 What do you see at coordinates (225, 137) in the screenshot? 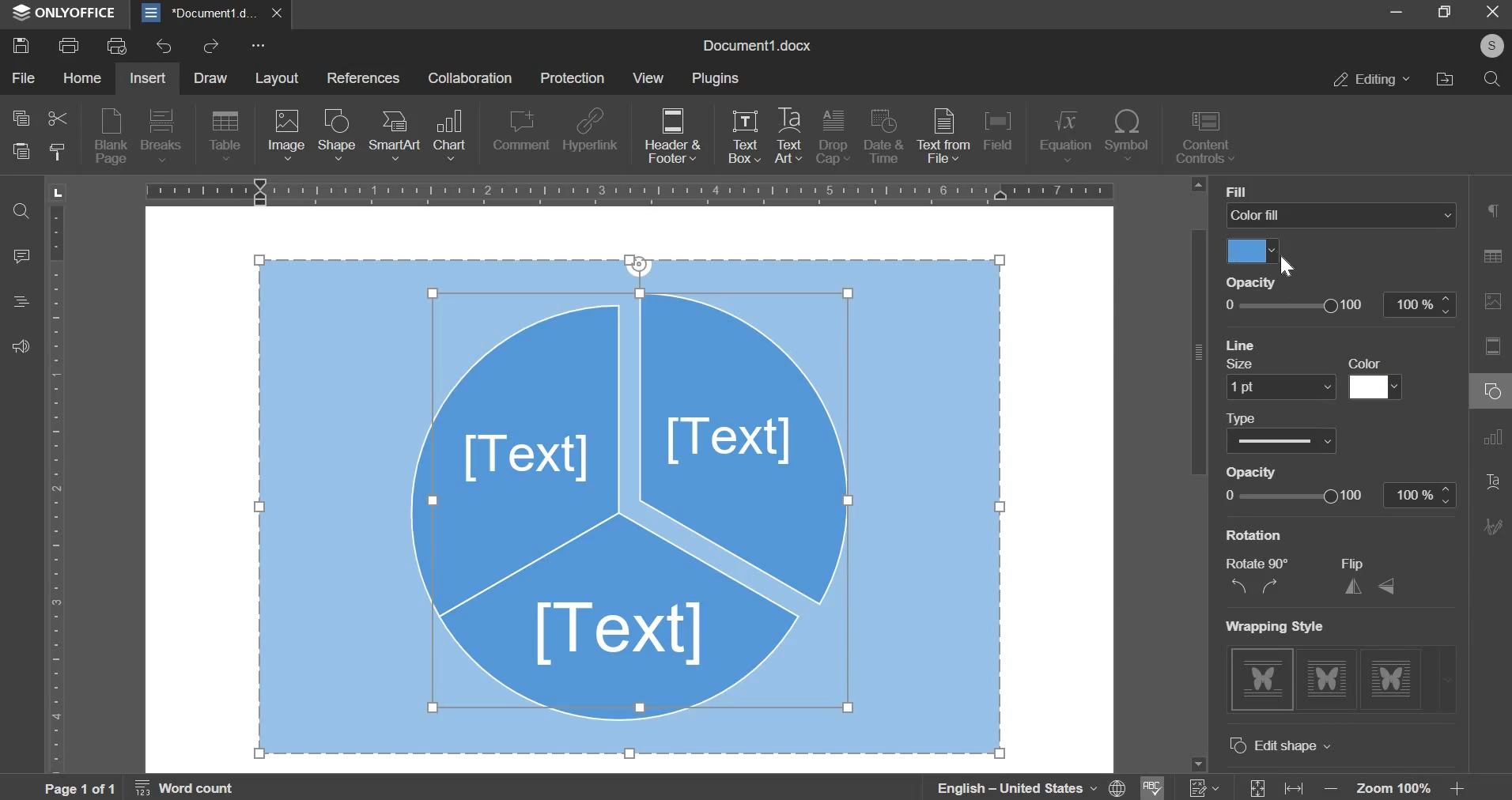
I see `table` at bounding box center [225, 137].